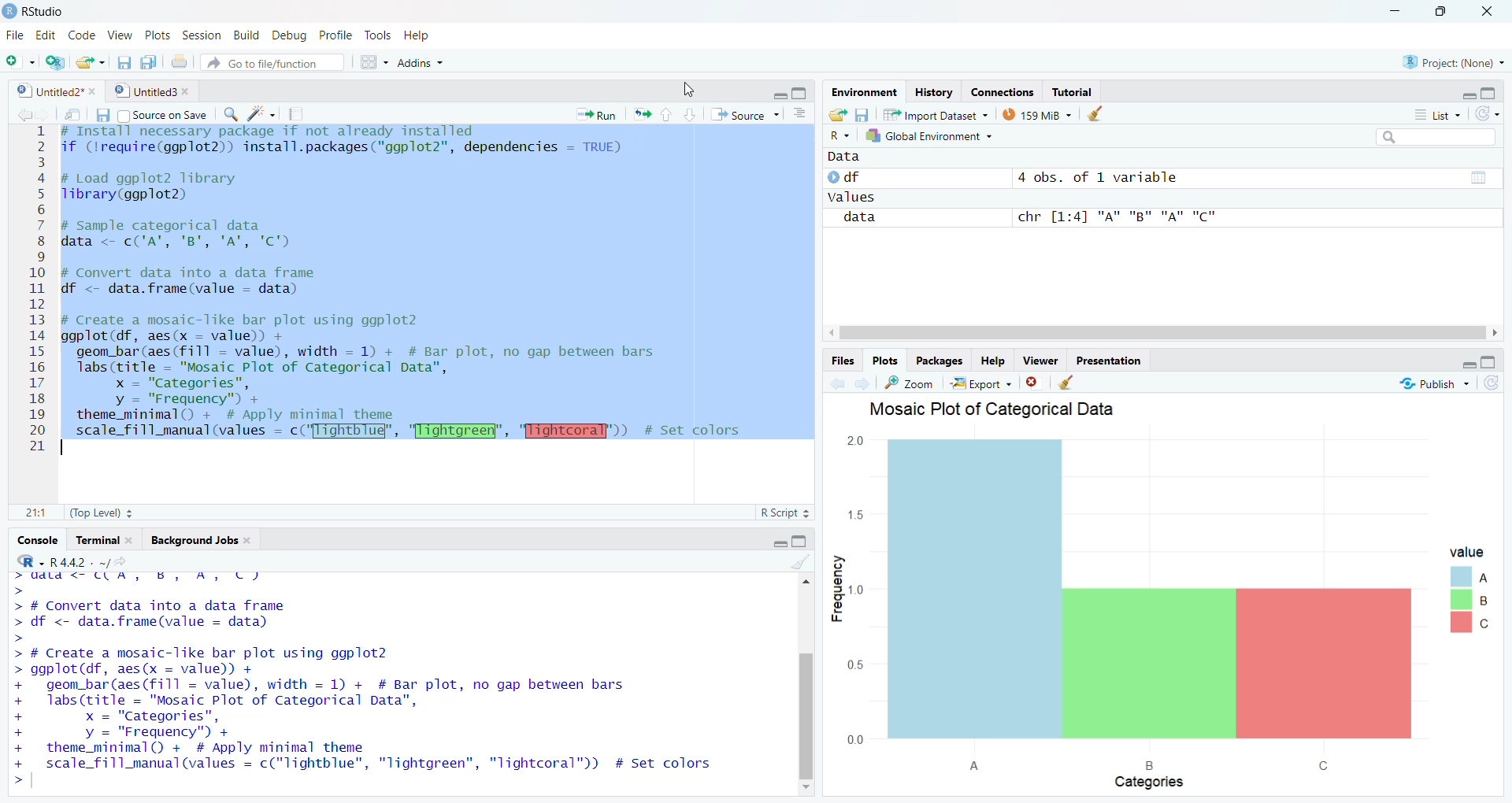 The width and height of the screenshot is (1512, 803). What do you see at coordinates (690, 113) in the screenshot?
I see `Down` at bounding box center [690, 113].